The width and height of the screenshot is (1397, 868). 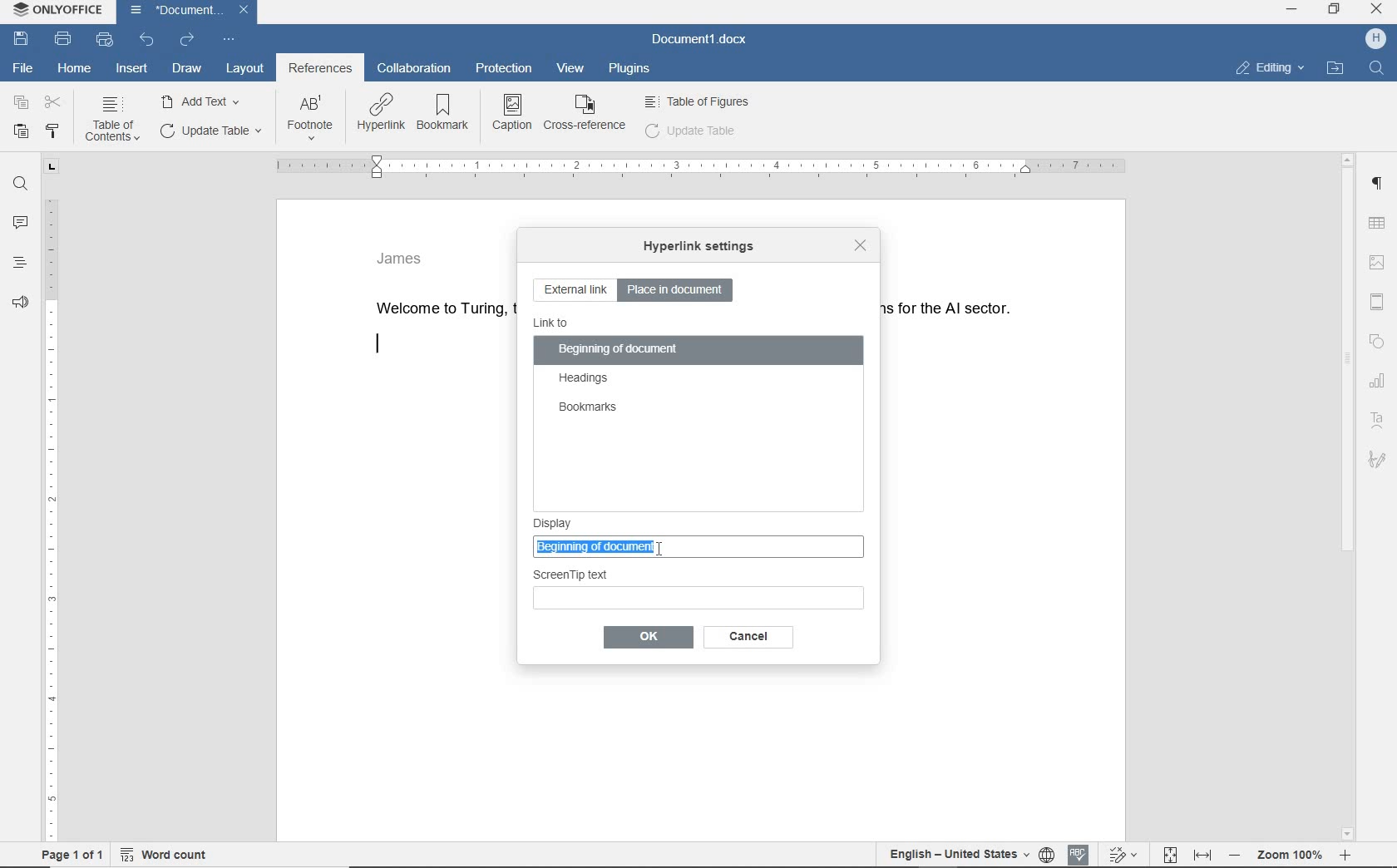 I want to click on headings, so click(x=19, y=267).